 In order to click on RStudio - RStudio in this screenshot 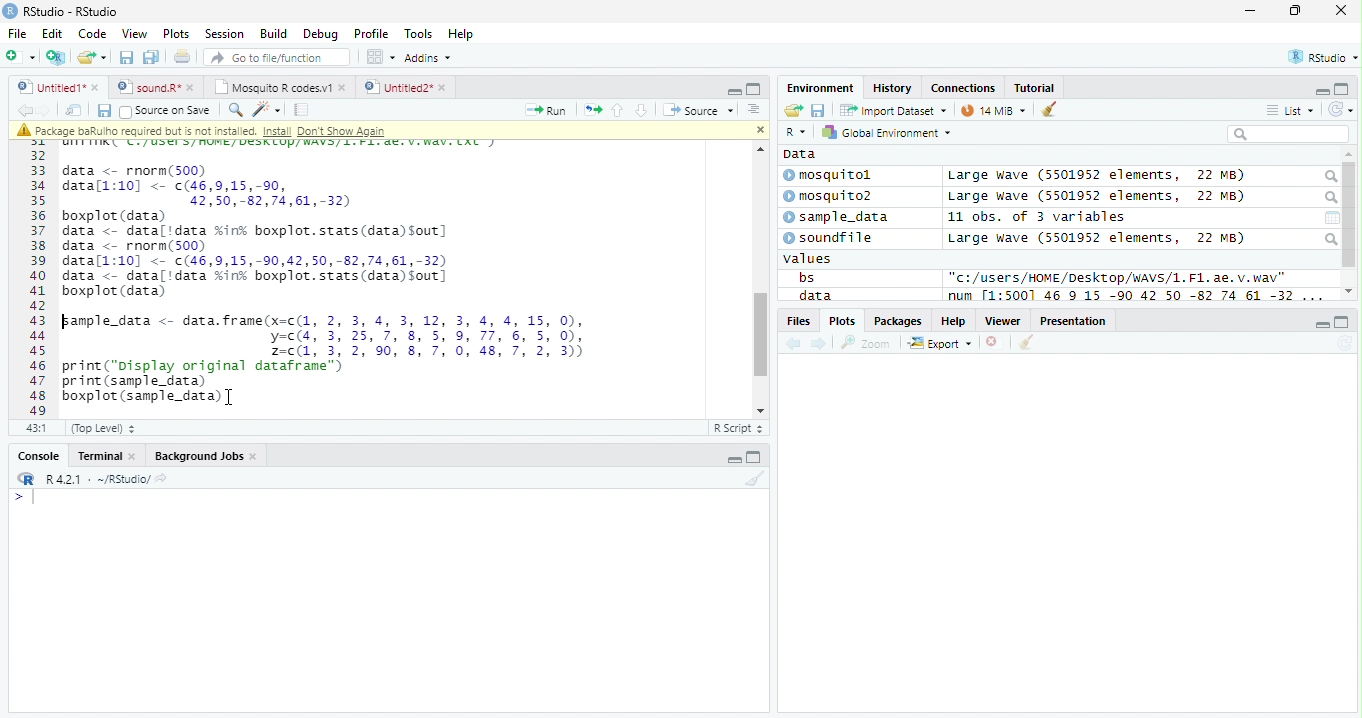, I will do `click(71, 11)`.